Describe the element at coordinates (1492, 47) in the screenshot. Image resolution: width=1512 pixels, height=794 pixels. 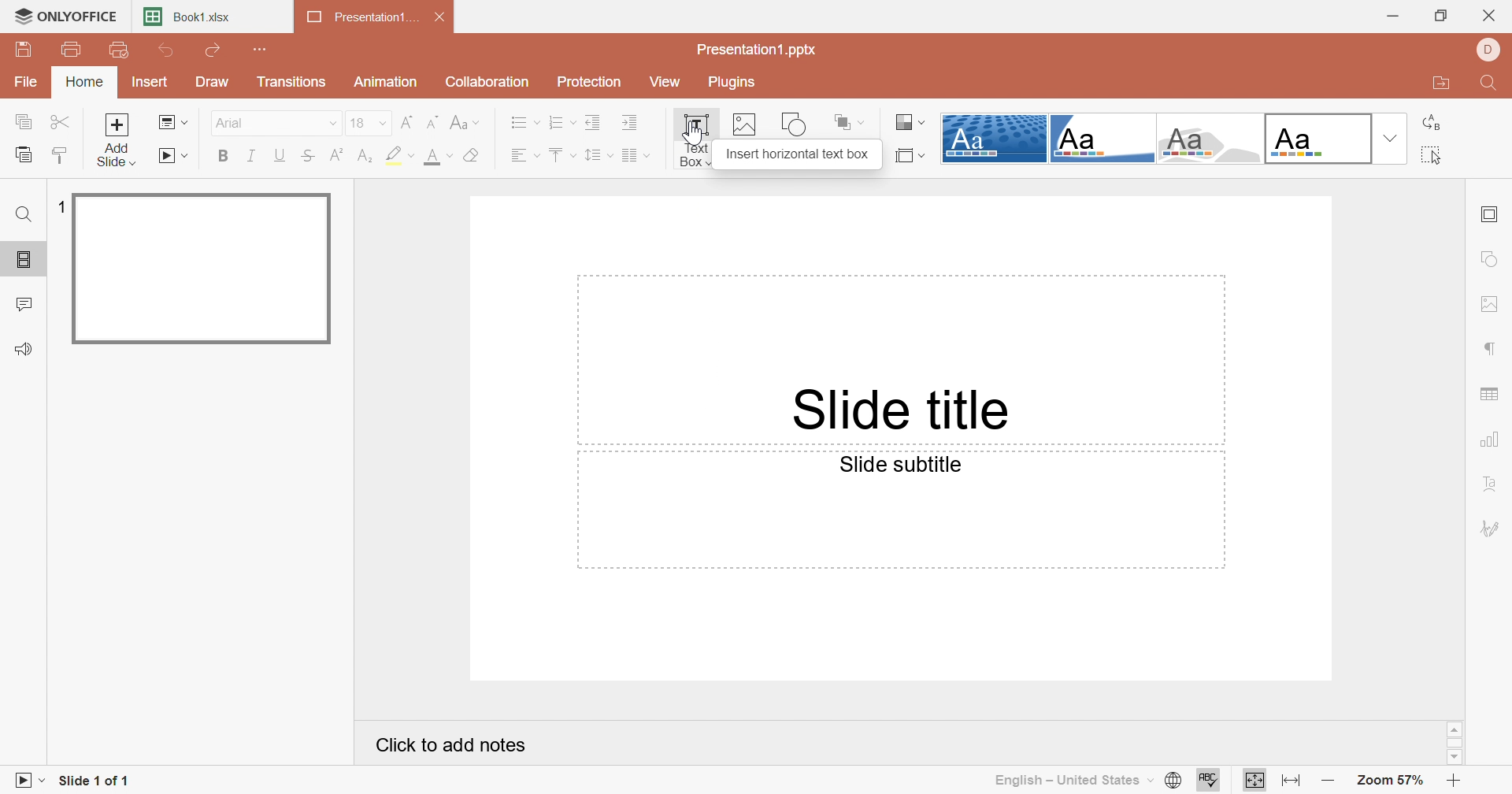
I see `DELL` at that location.